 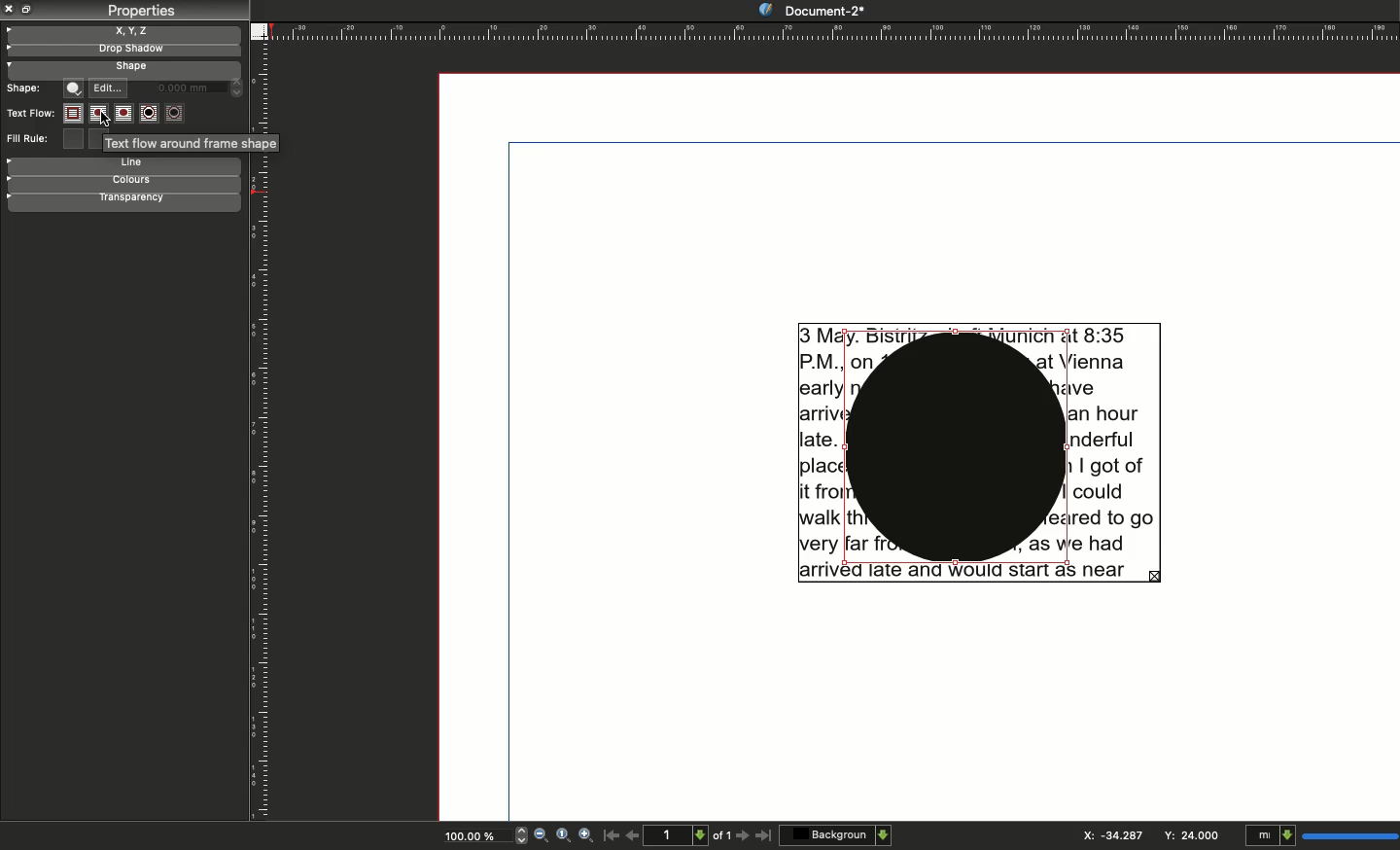 I want to click on Y: 87.481, so click(x=1189, y=835).